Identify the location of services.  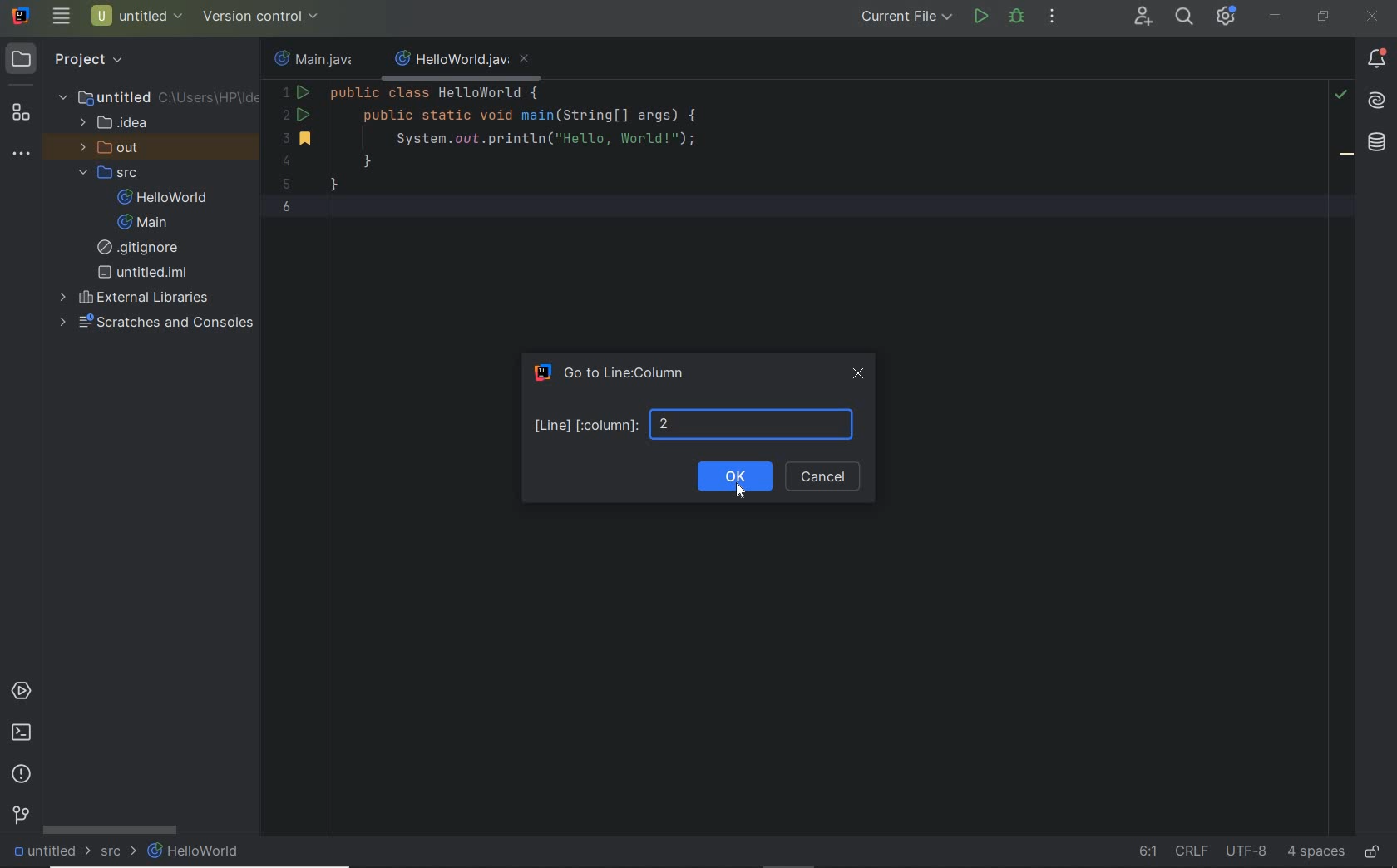
(21, 692).